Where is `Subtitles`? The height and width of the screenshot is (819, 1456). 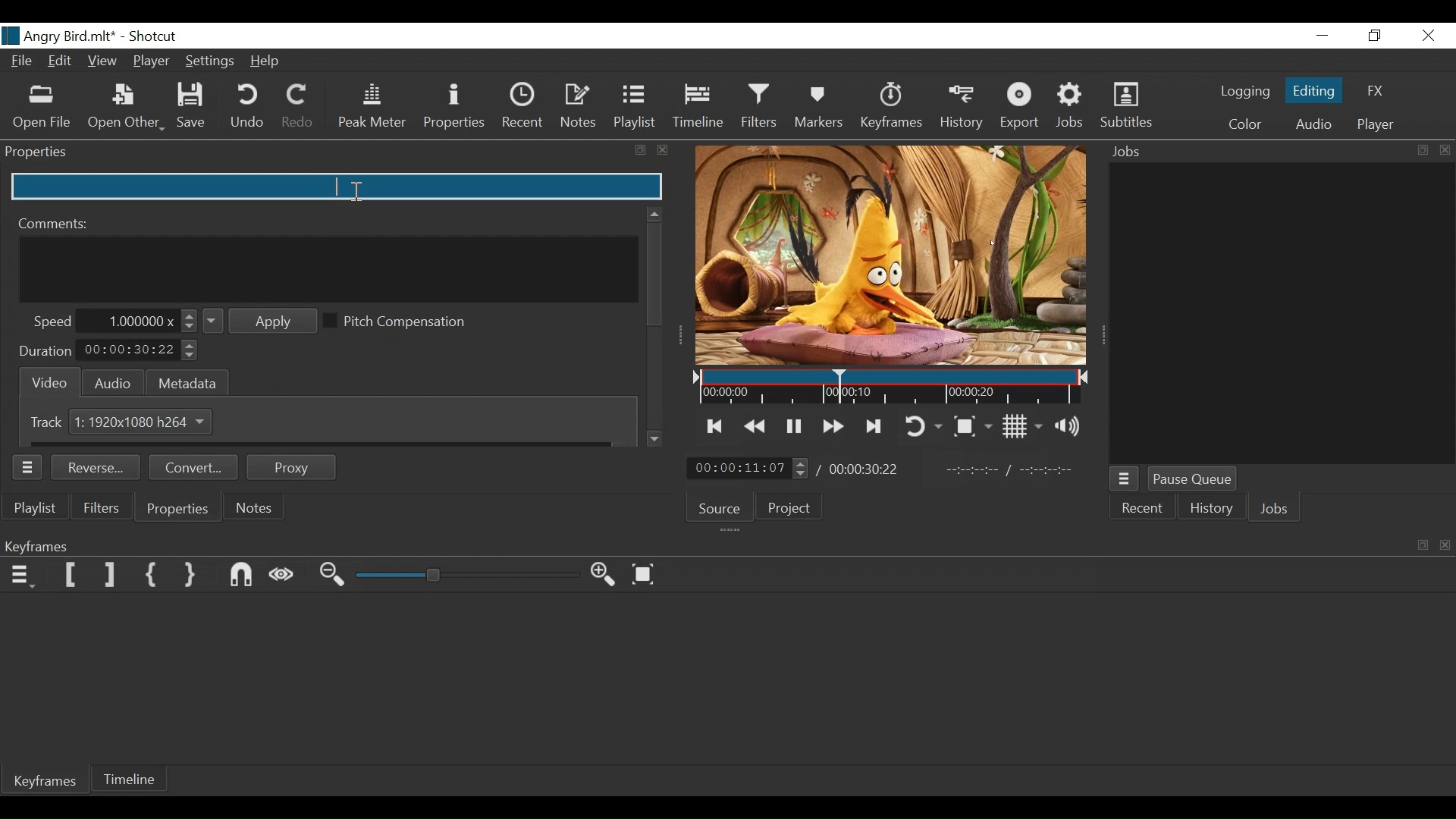 Subtitles is located at coordinates (1126, 106).